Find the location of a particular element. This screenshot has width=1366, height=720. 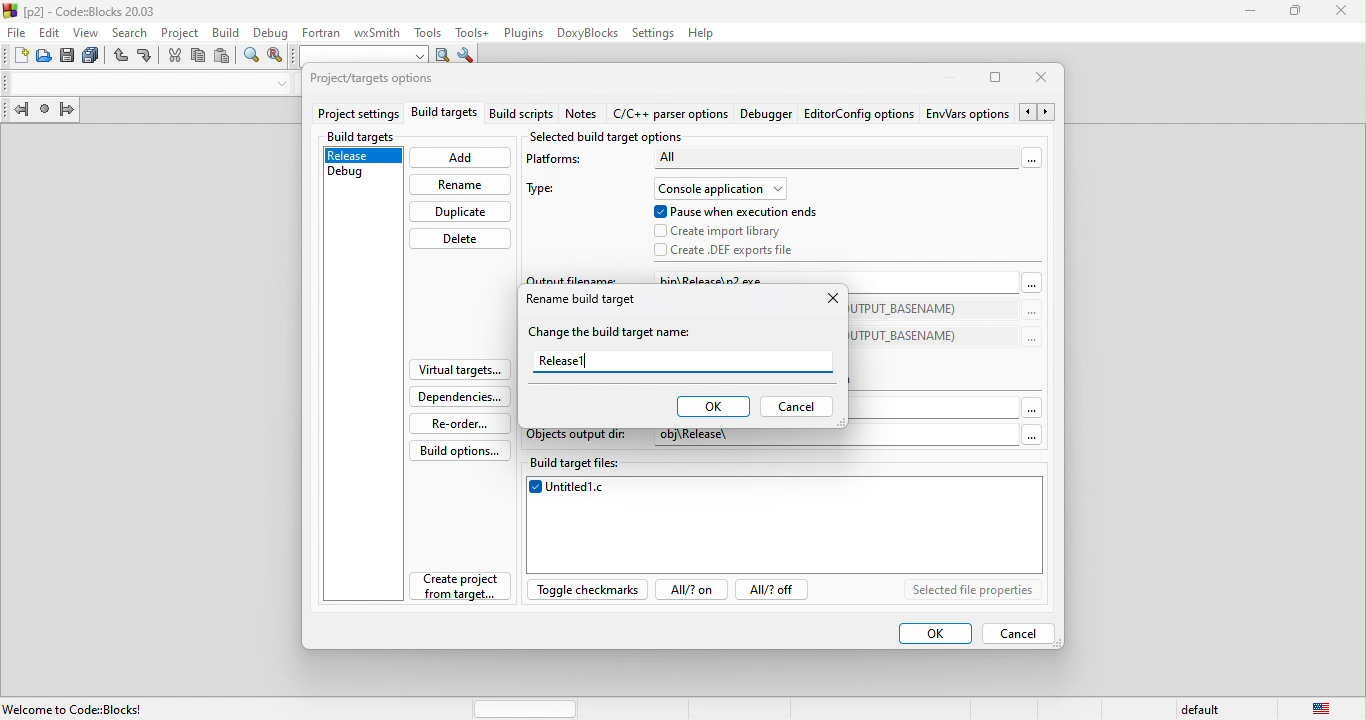

find is located at coordinates (252, 58).